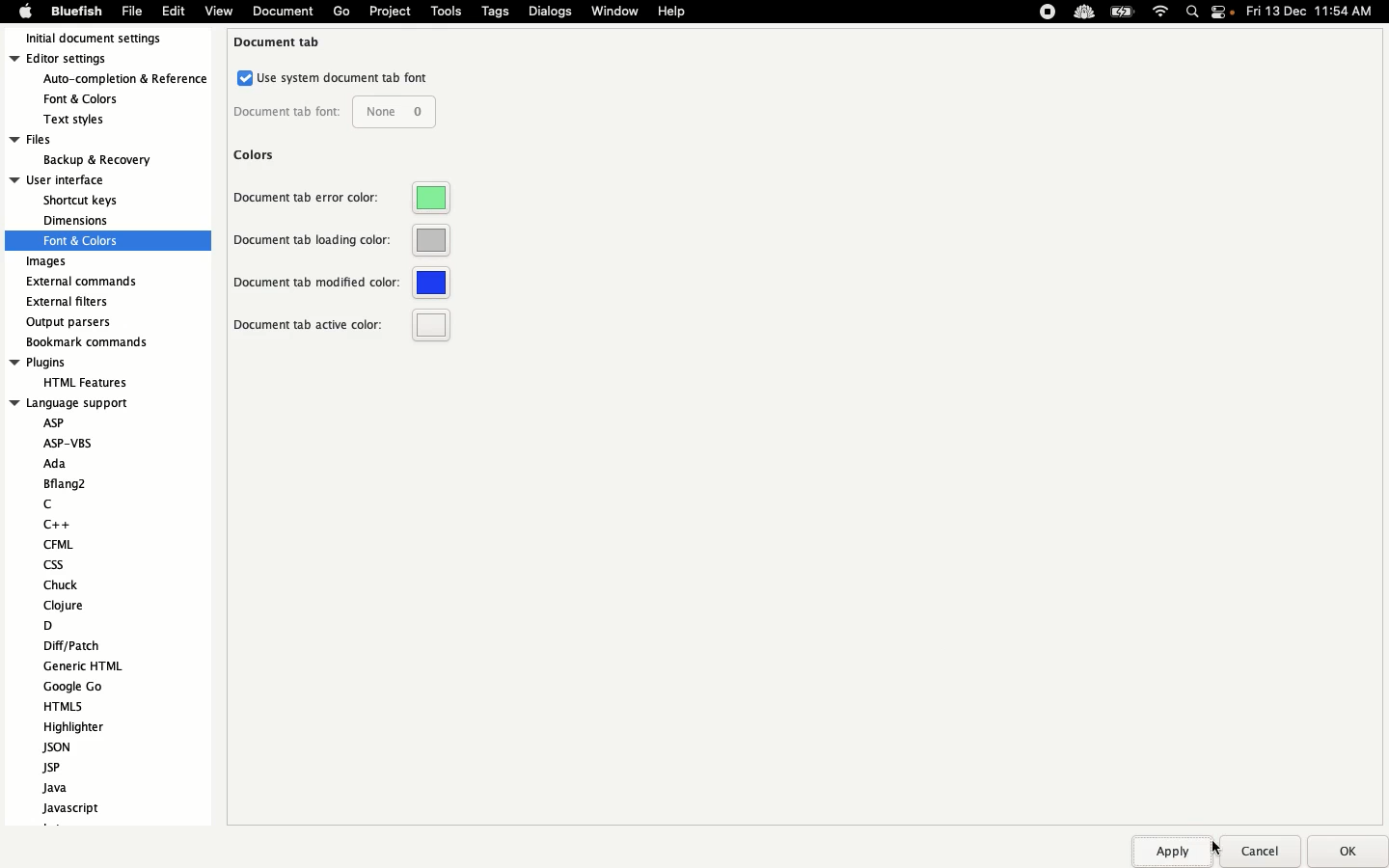 This screenshot has width=1389, height=868. What do you see at coordinates (342, 325) in the screenshot?
I see `Document tab active color` at bounding box center [342, 325].